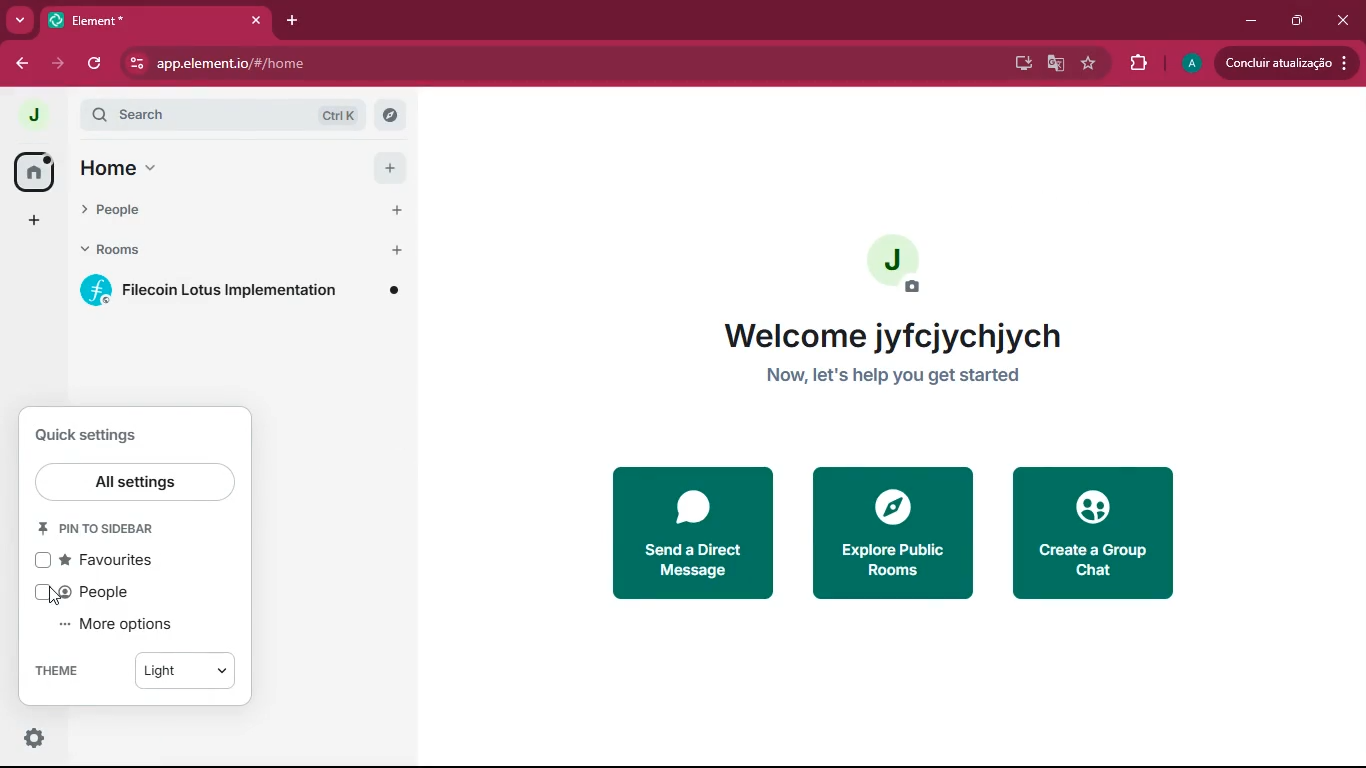  What do you see at coordinates (1298, 22) in the screenshot?
I see `maximize` at bounding box center [1298, 22].